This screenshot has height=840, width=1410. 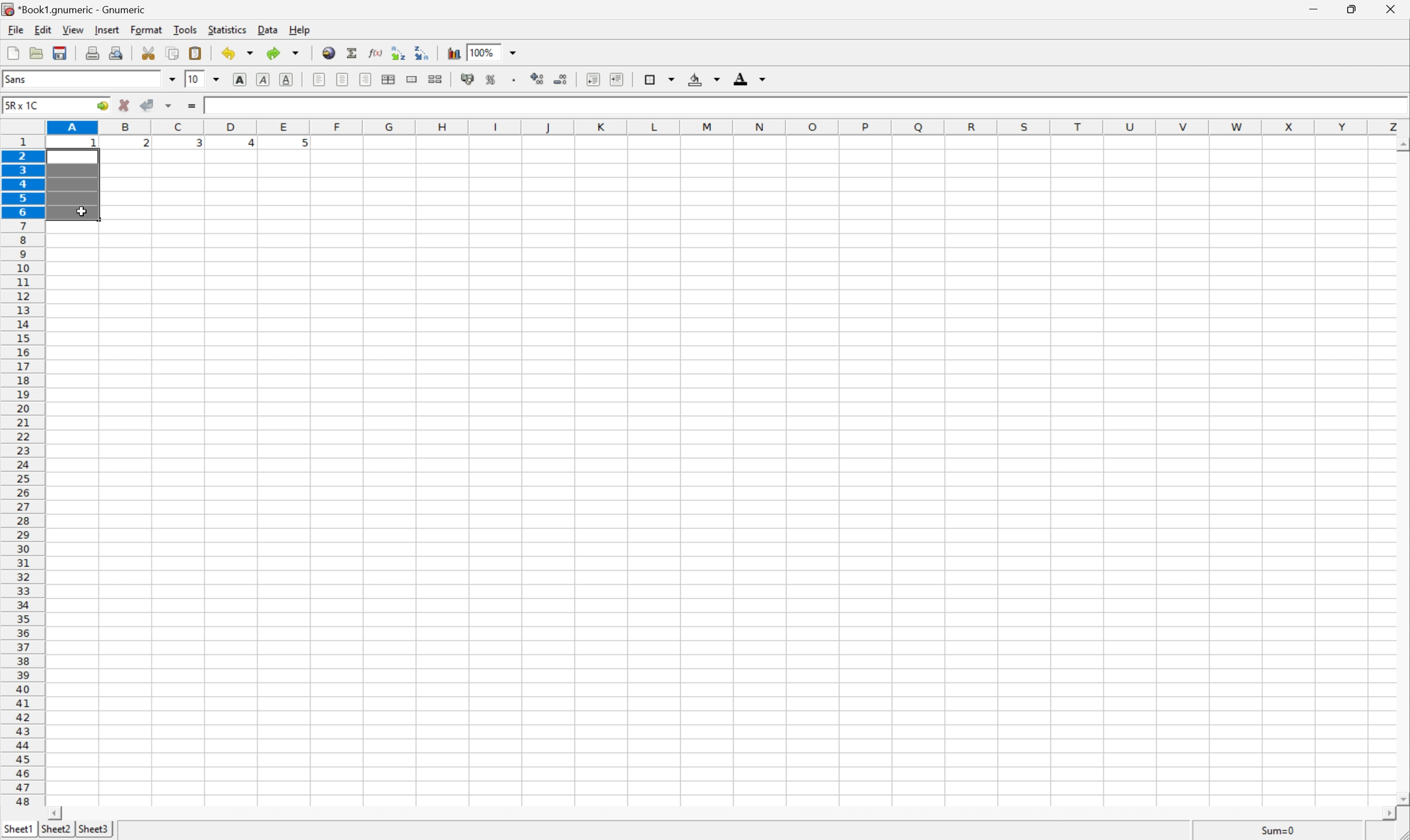 What do you see at coordinates (705, 79) in the screenshot?
I see `background` at bounding box center [705, 79].